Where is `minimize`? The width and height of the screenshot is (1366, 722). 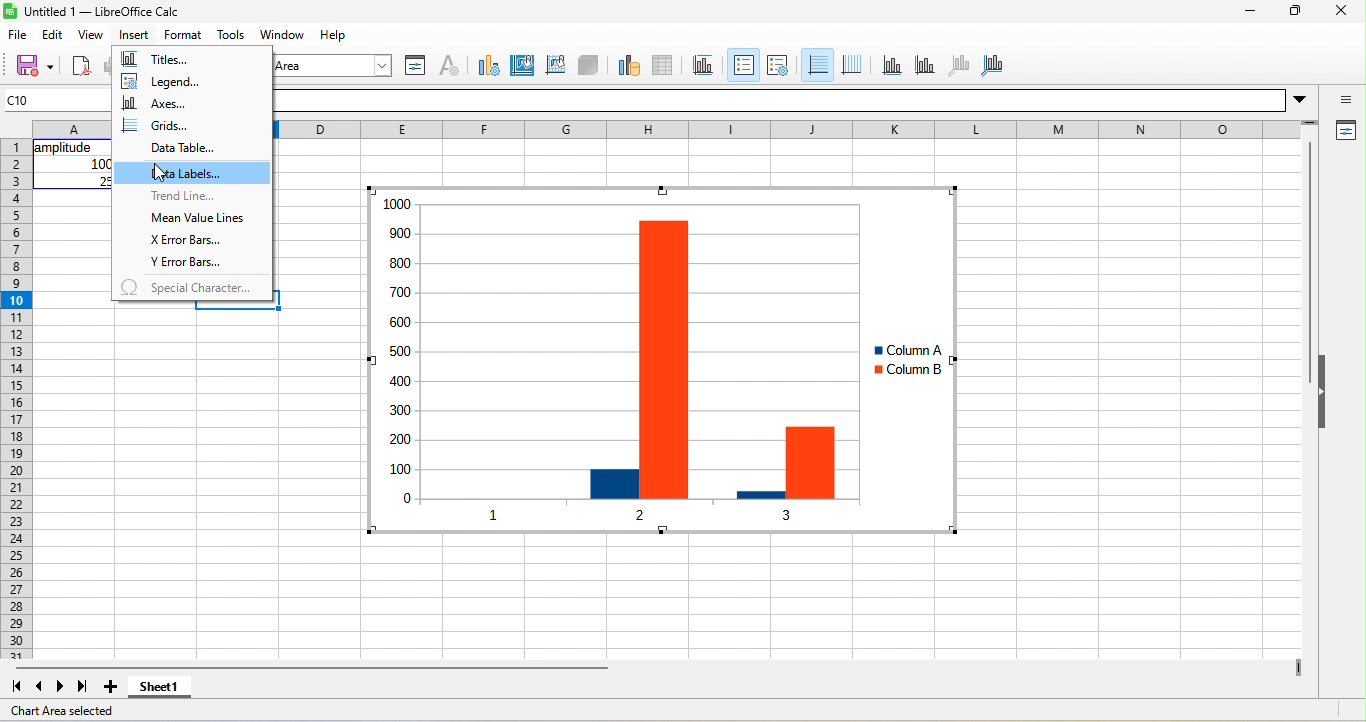
minimize is located at coordinates (1248, 13).